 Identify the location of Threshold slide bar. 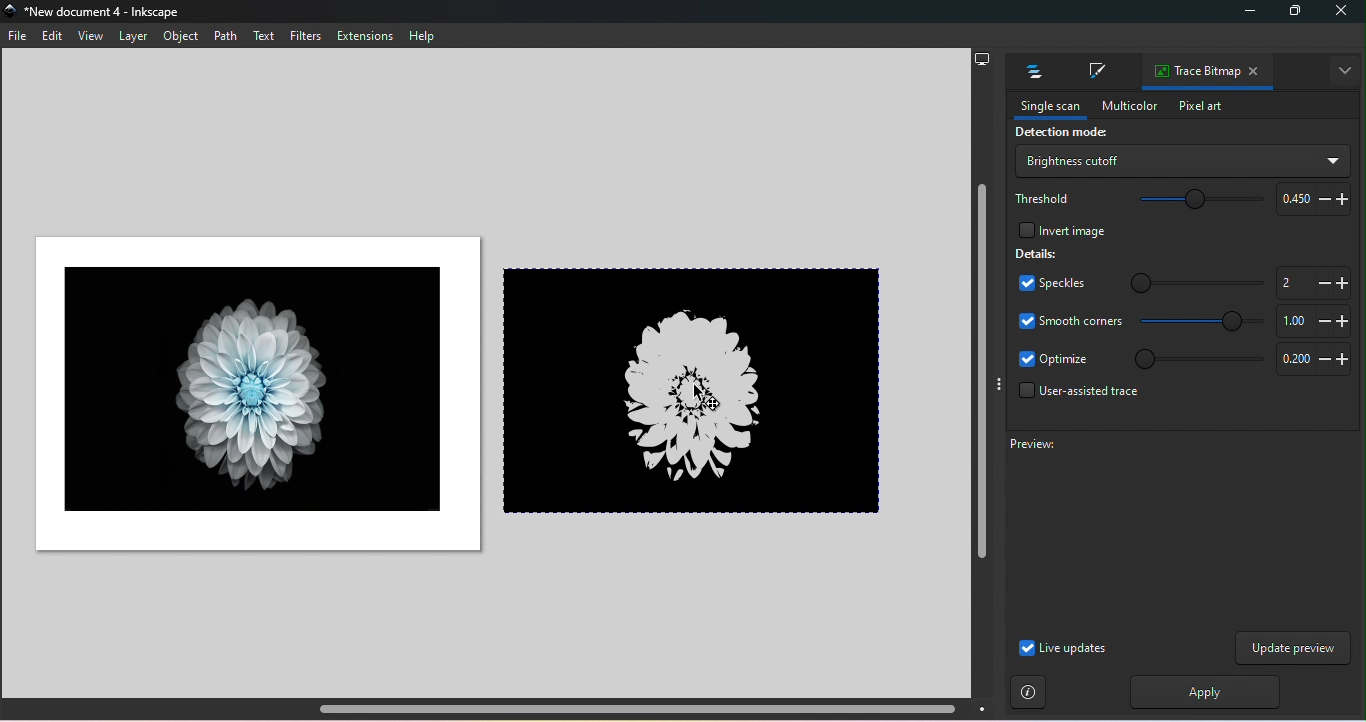
(1191, 201).